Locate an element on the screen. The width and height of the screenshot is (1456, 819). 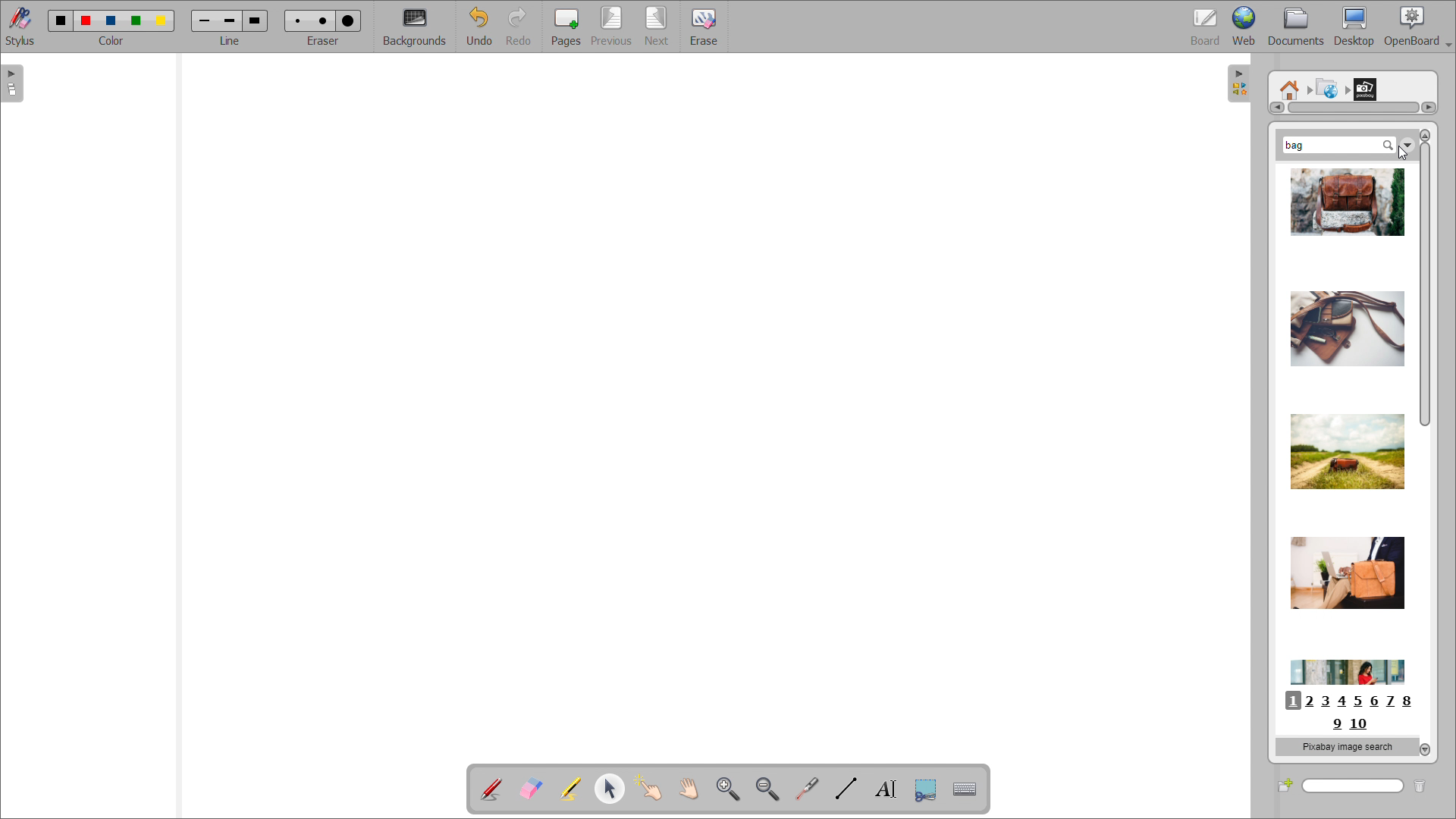
1 is located at coordinates (1291, 701).